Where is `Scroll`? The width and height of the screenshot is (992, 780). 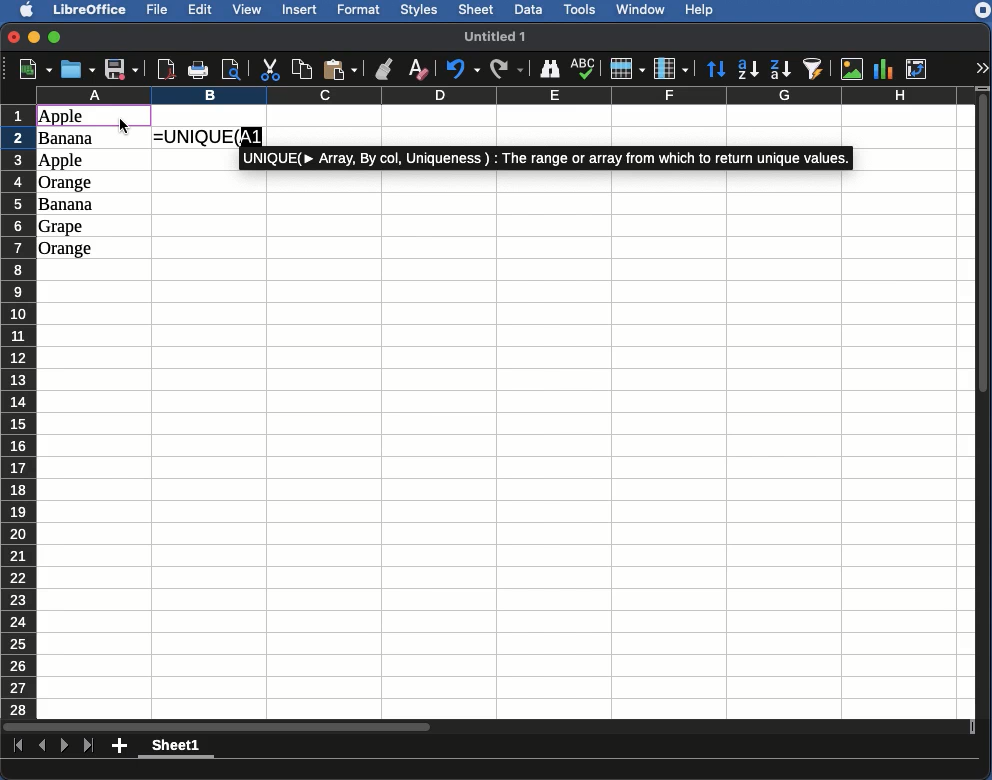 Scroll is located at coordinates (985, 407).